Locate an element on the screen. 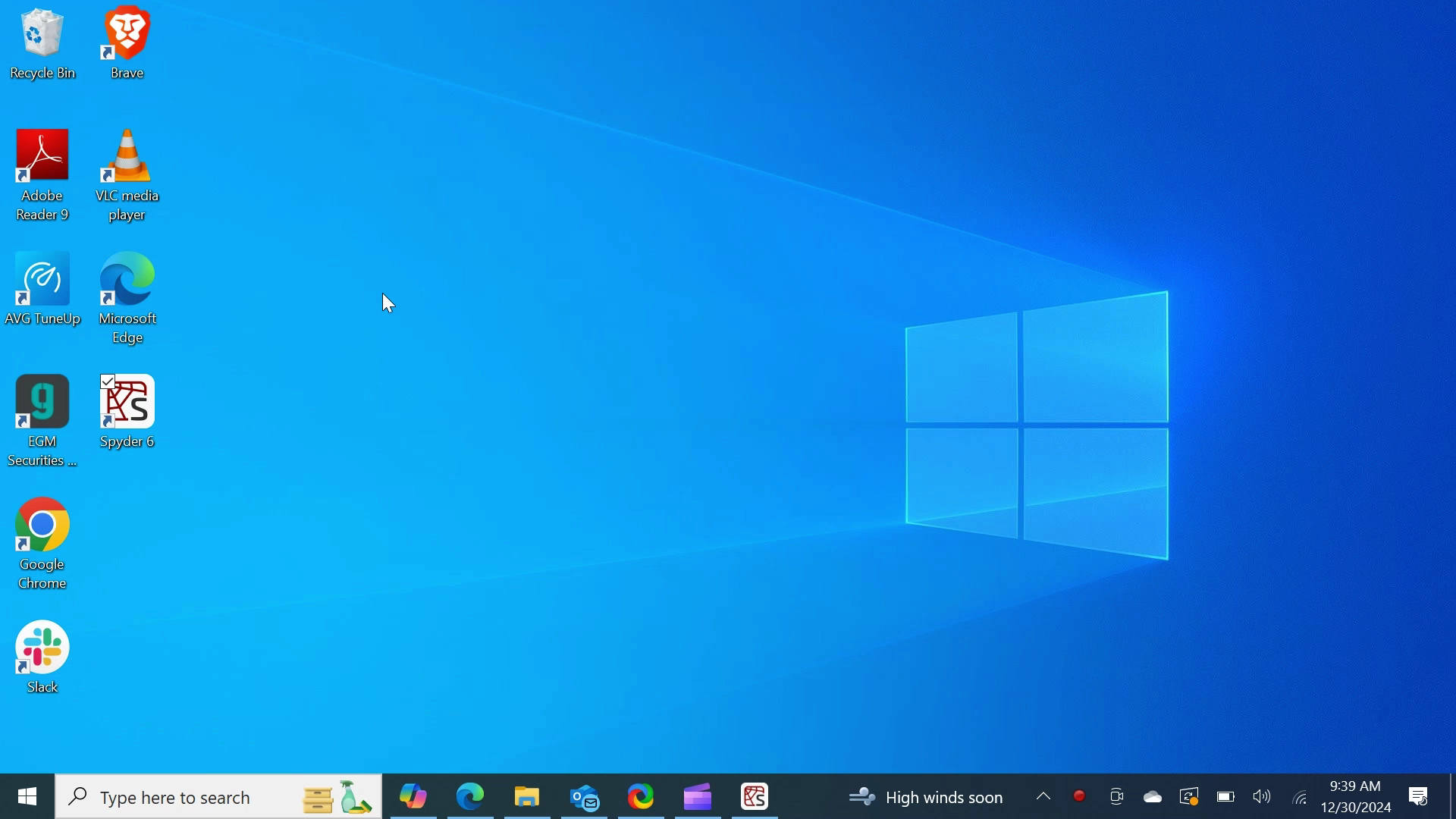 The width and height of the screenshot is (1456, 819). Microsoft Edge is located at coordinates (470, 795).